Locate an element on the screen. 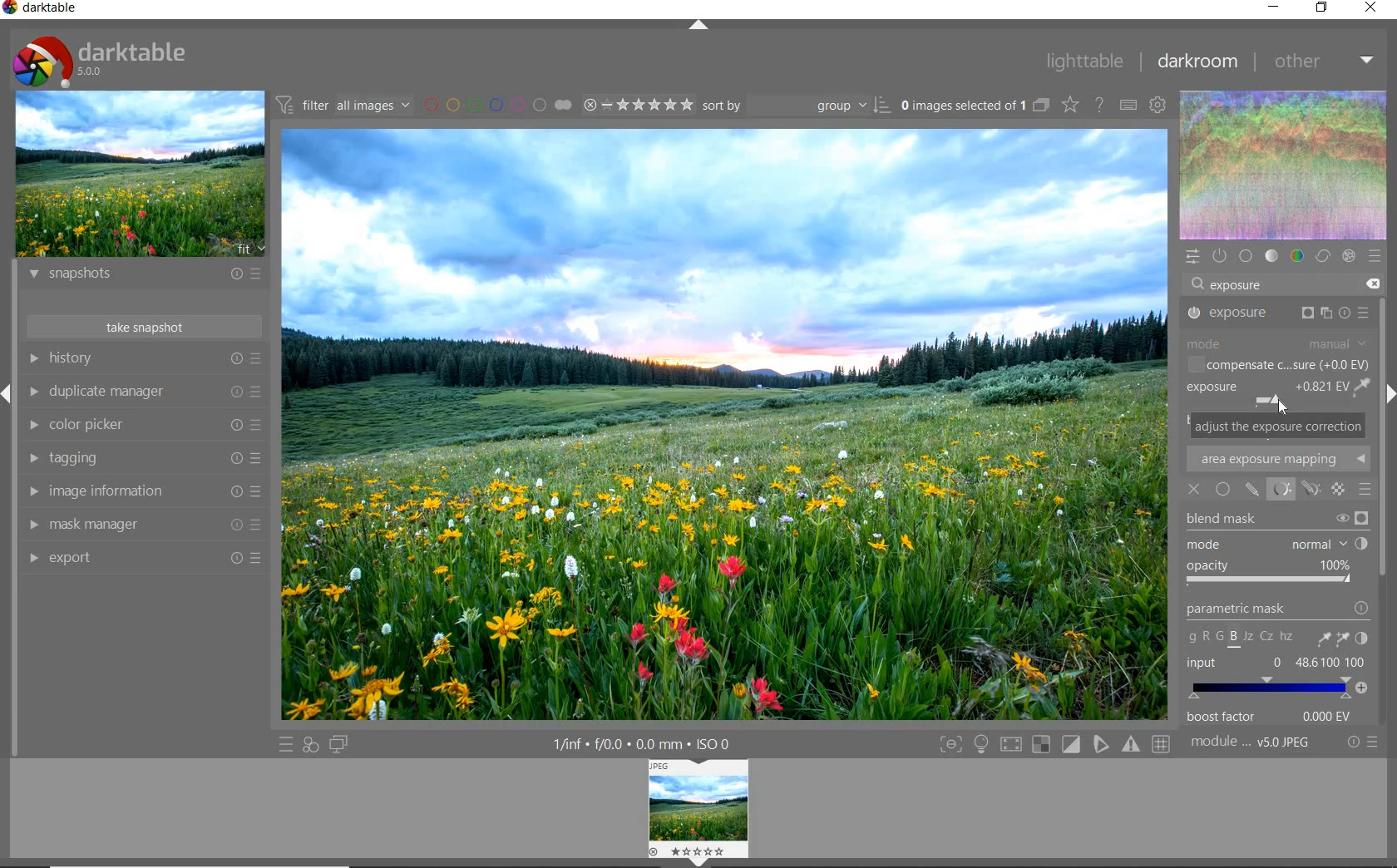 Image resolution: width=1397 pixels, height=868 pixels. show global preferences is located at coordinates (1158, 106).